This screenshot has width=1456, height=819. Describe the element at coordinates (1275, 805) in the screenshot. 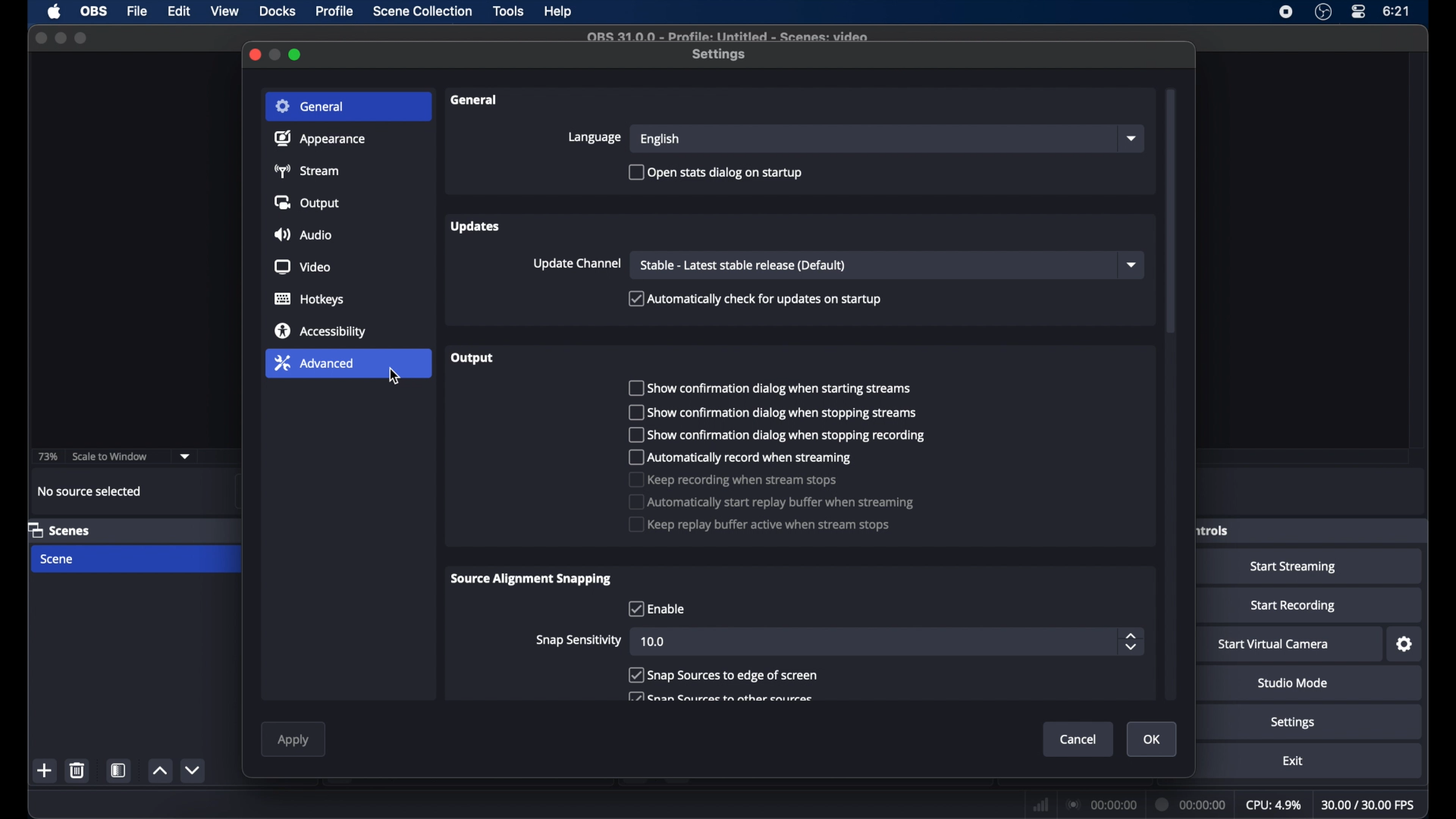

I see `cpu` at that location.